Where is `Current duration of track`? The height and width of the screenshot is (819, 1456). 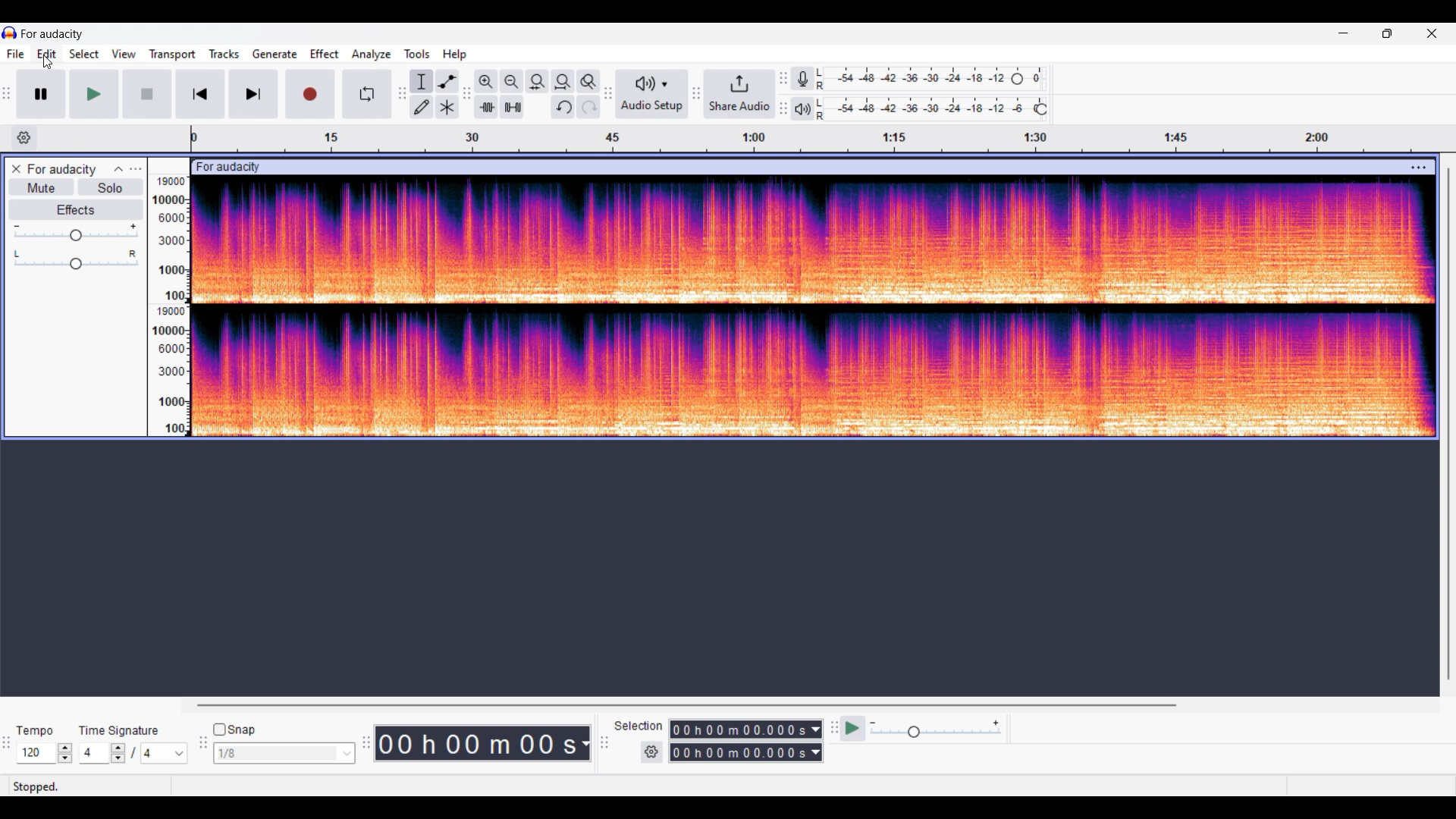 Current duration of track is located at coordinates (475, 743).